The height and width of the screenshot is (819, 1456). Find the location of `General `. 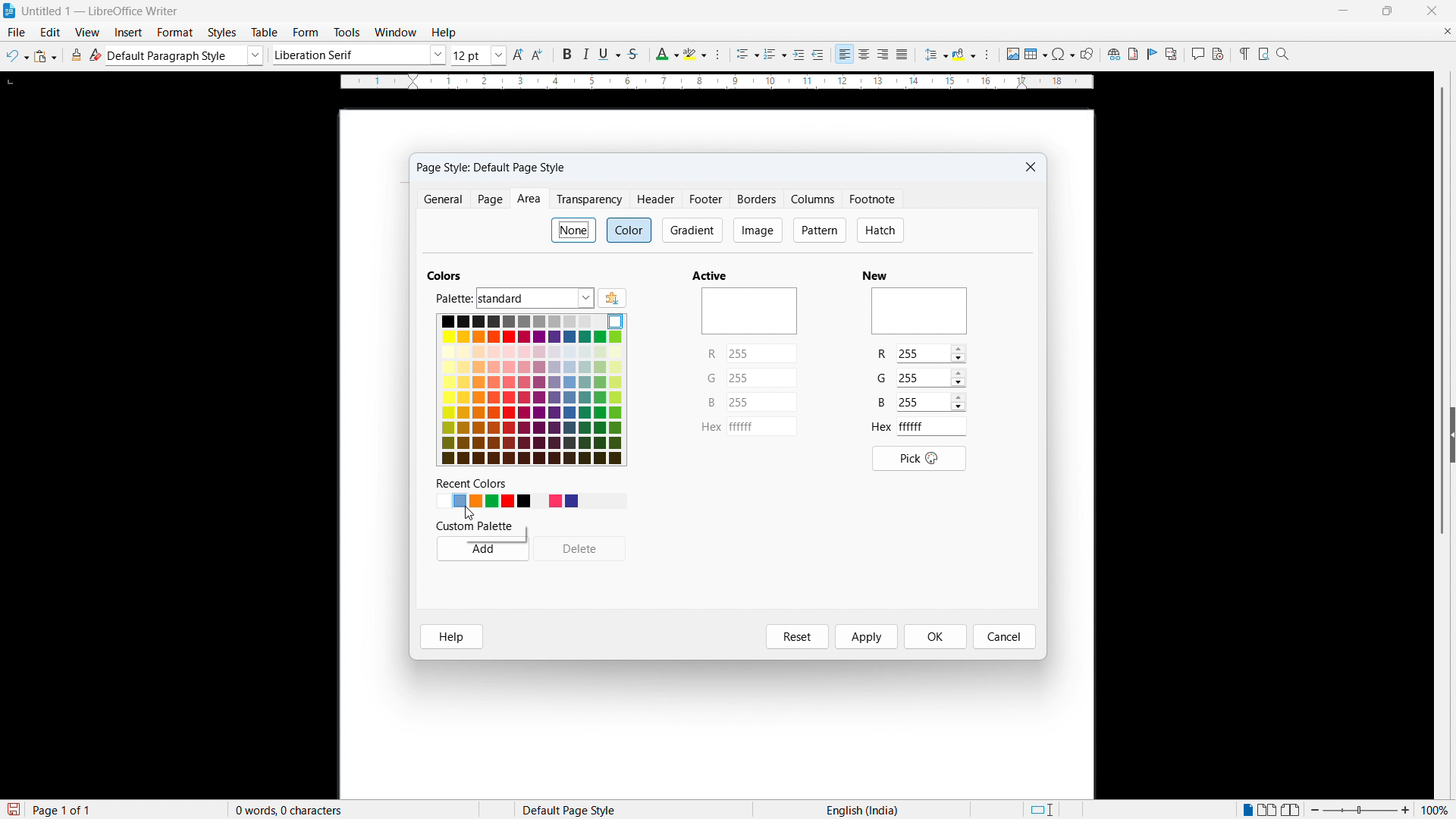

General  is located at coordinates (443, 199).